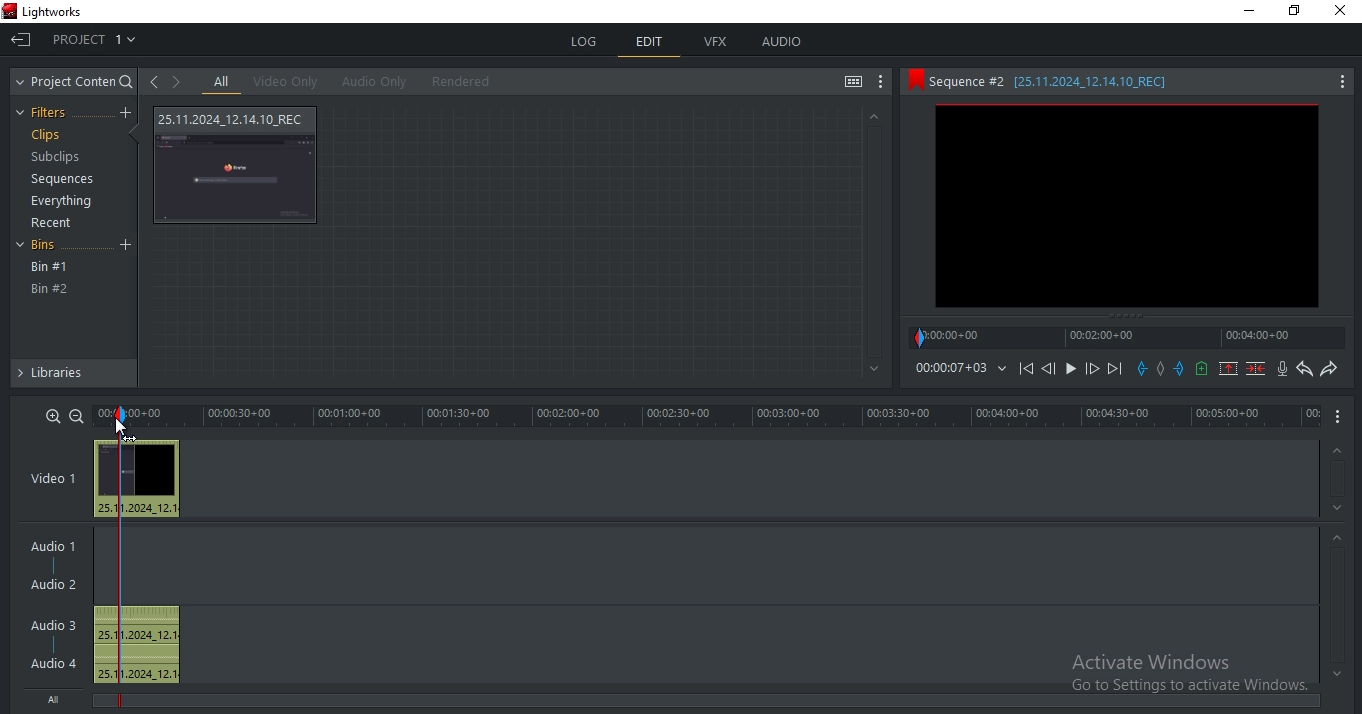 The width and height of the screenshot is (1362, 714). I want to click on bin #1, so click(50, 267).